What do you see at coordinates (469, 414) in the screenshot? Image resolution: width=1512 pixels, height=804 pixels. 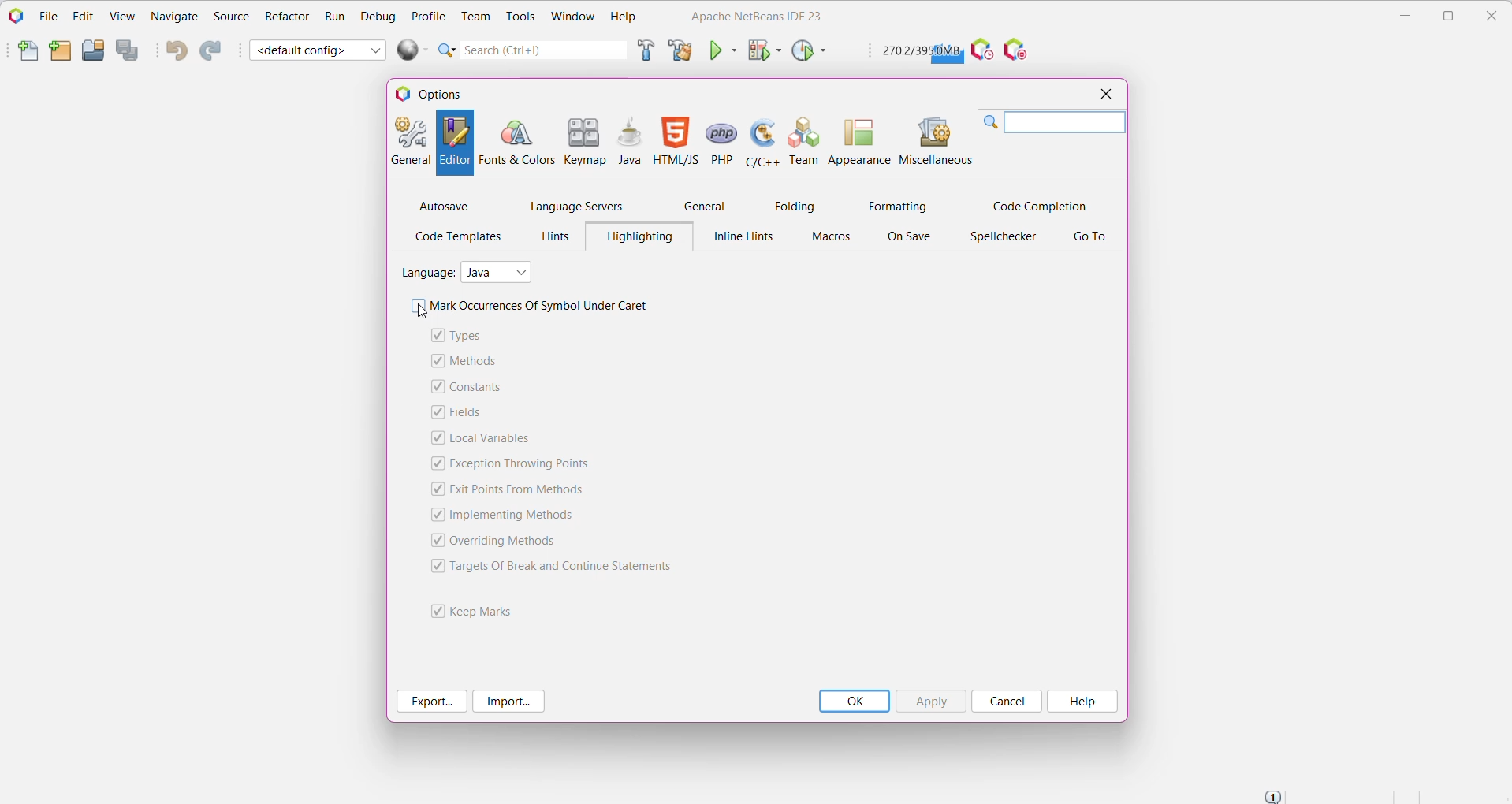 I see `Fields - click to enable` at bounding box center [469, 414].